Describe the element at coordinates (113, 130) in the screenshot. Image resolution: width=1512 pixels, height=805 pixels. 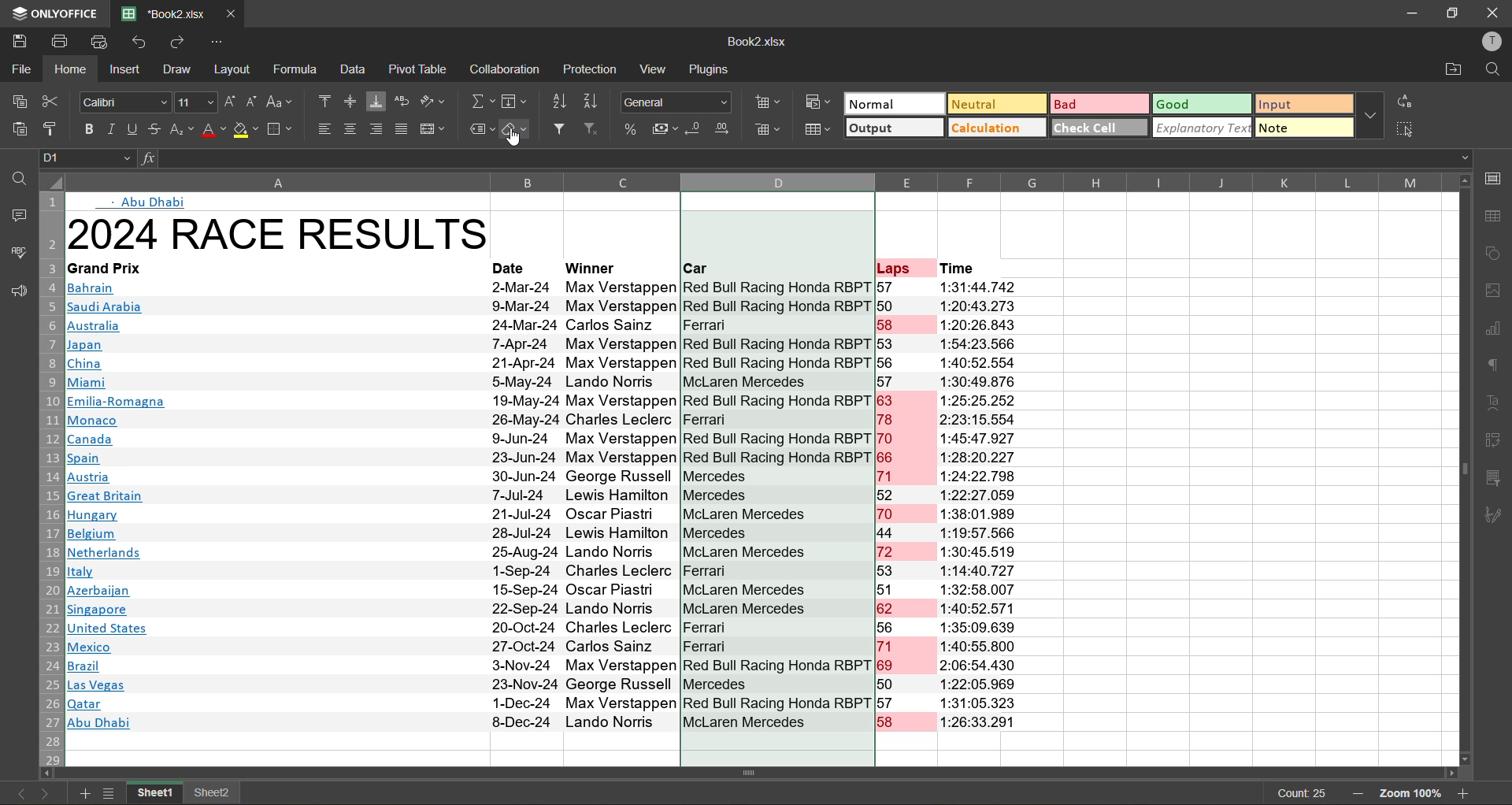
I see `italic` at that location.